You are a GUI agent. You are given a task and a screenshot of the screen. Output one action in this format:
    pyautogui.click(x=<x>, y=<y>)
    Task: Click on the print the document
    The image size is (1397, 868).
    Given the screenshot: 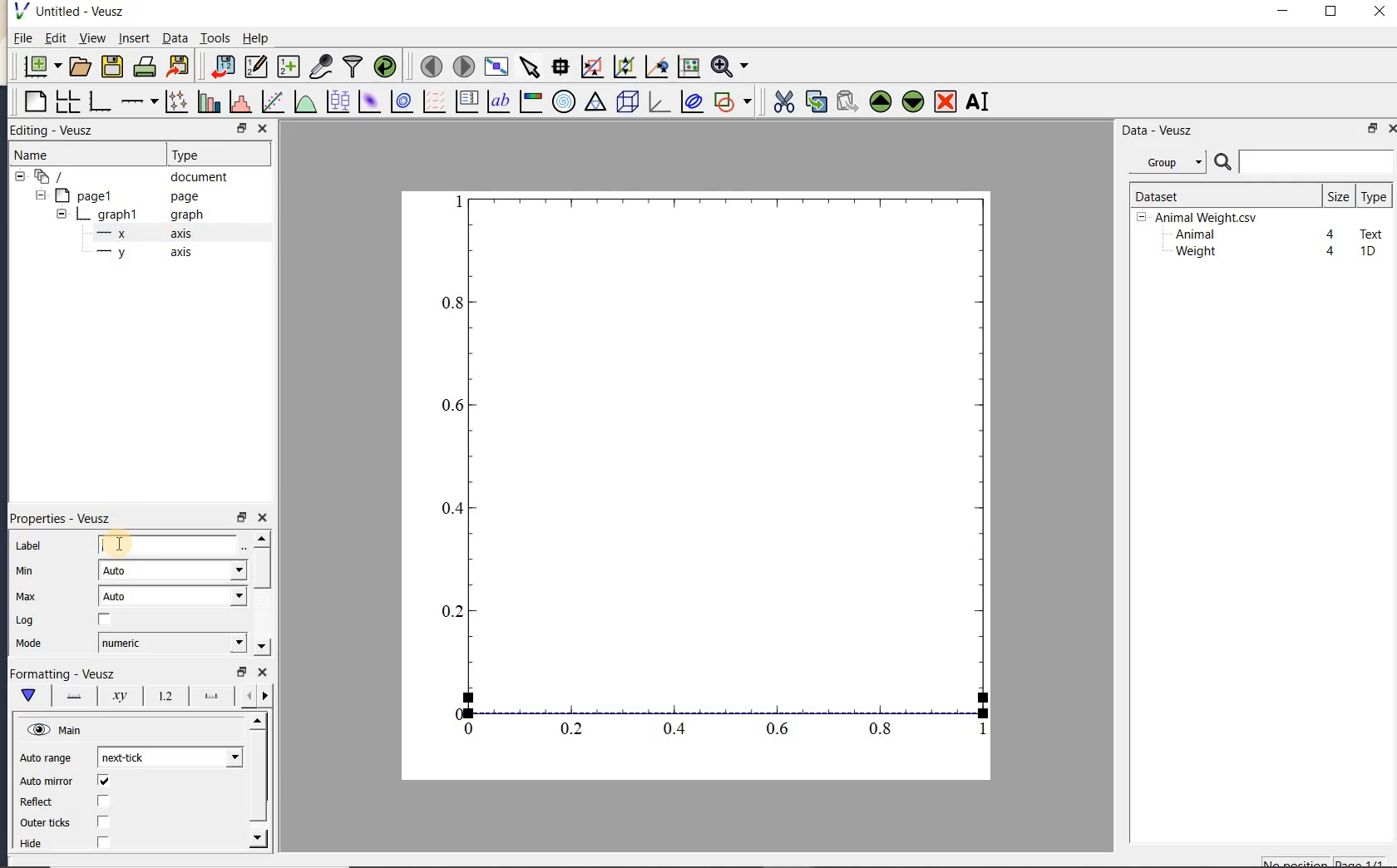 What is the action you would take?
    pyautogui.click(x=145, y=67)
    